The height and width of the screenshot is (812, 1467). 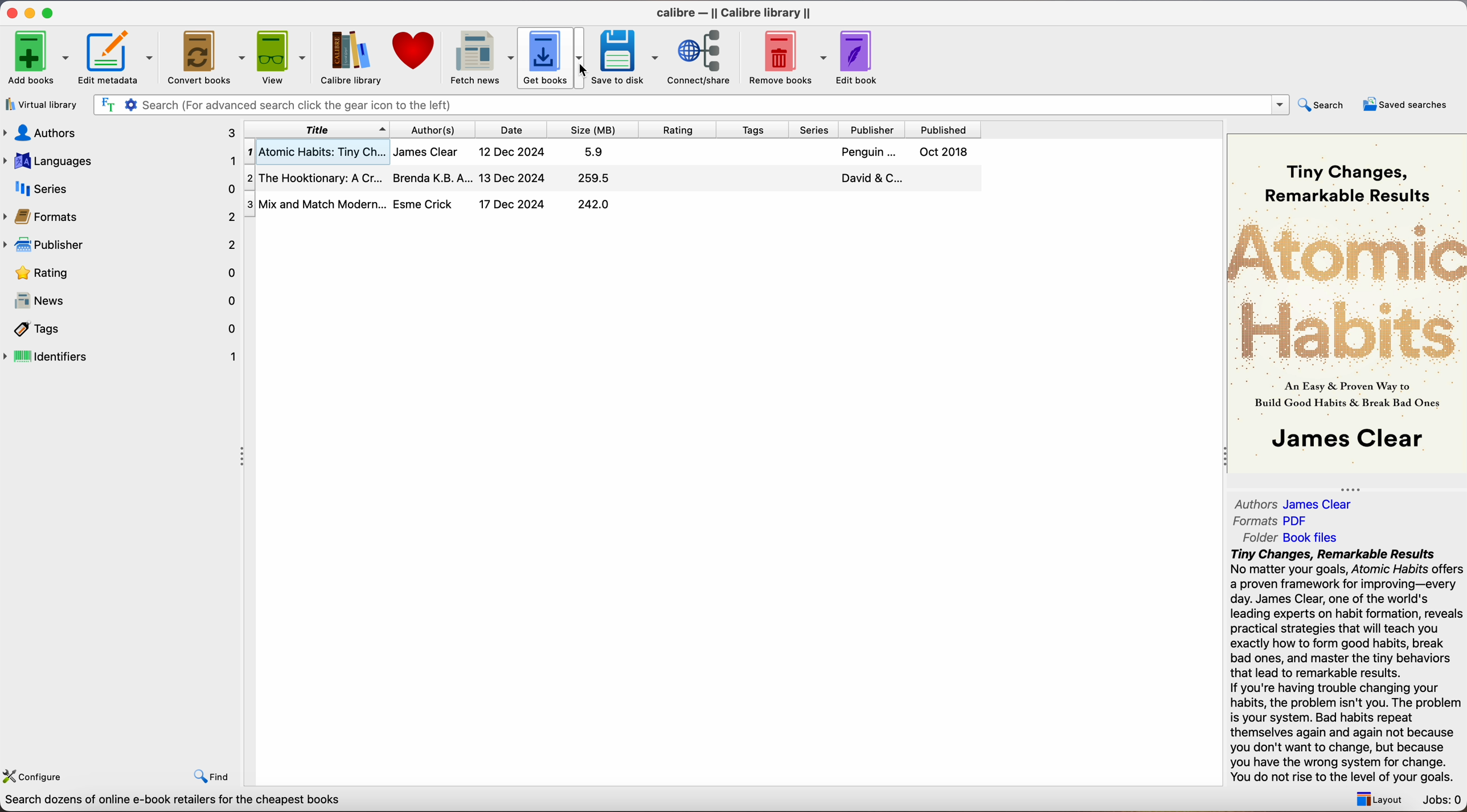 What do you see at coordinates (1349, 666) in the screenshot?
I see `synopsis` at bounding box center [1349, 666].